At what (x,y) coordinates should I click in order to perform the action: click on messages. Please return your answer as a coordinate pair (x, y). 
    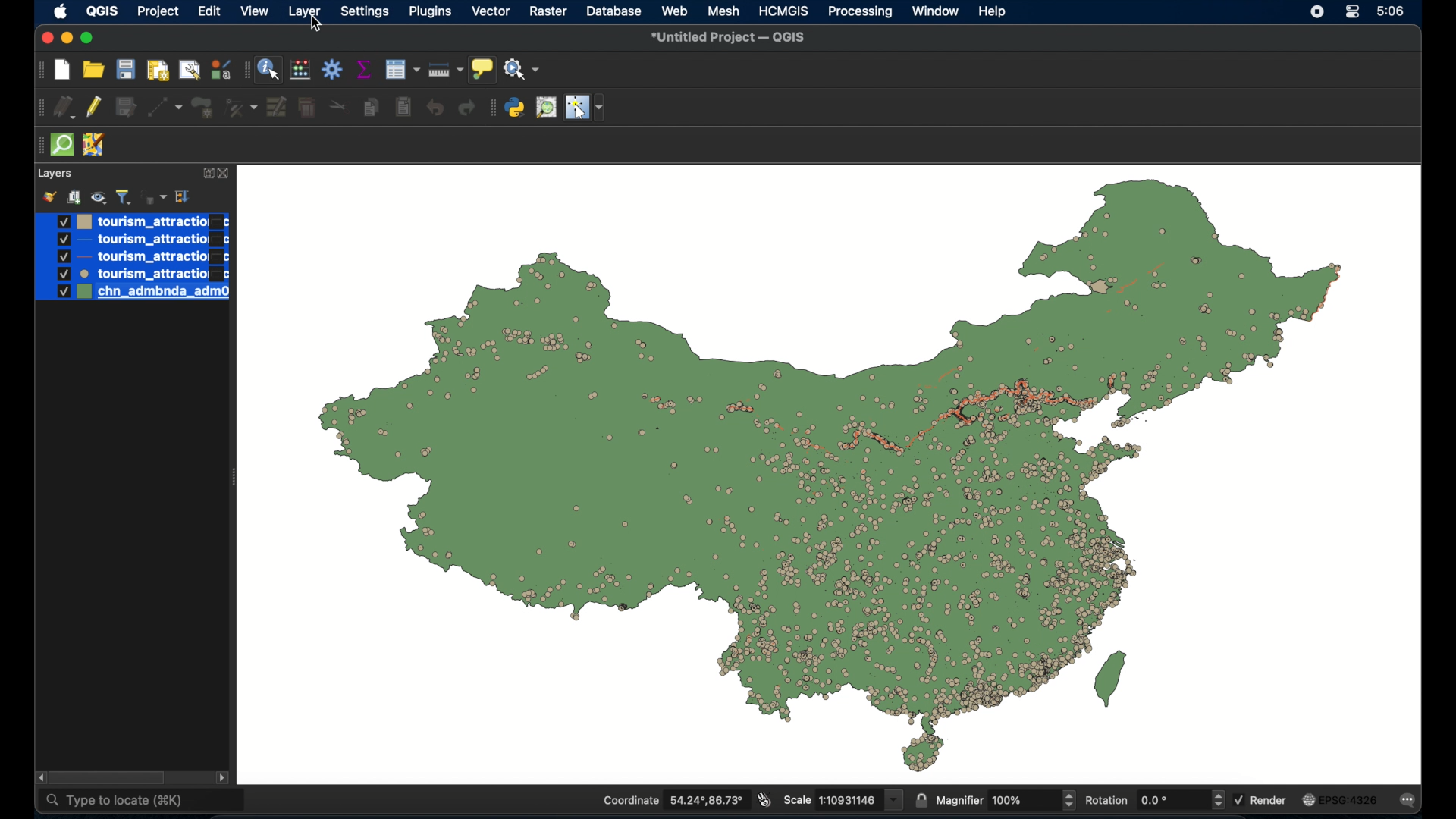
    Looking at the image, I should click on (1410, 799).